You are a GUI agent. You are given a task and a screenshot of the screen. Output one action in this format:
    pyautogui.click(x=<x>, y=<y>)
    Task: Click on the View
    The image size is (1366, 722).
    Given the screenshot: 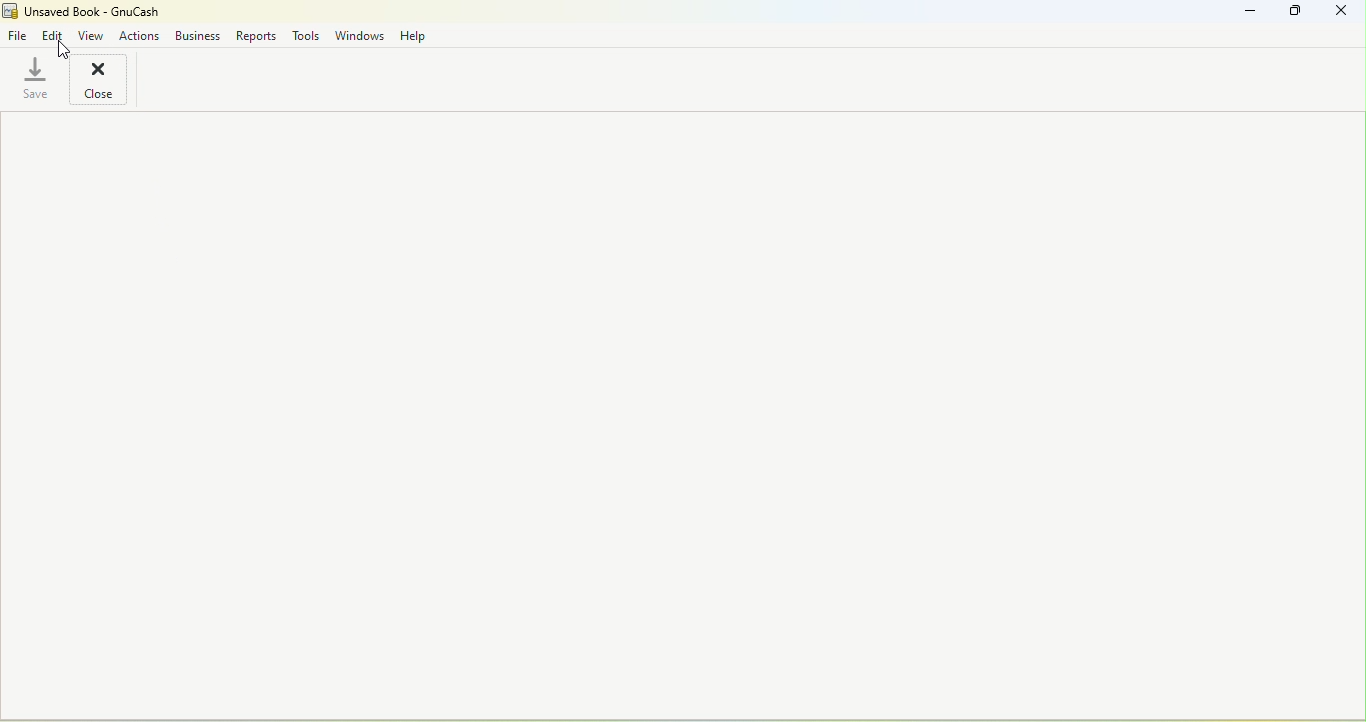 What is the action you would take?
    pyautogui.click(x=92, y=34)
    